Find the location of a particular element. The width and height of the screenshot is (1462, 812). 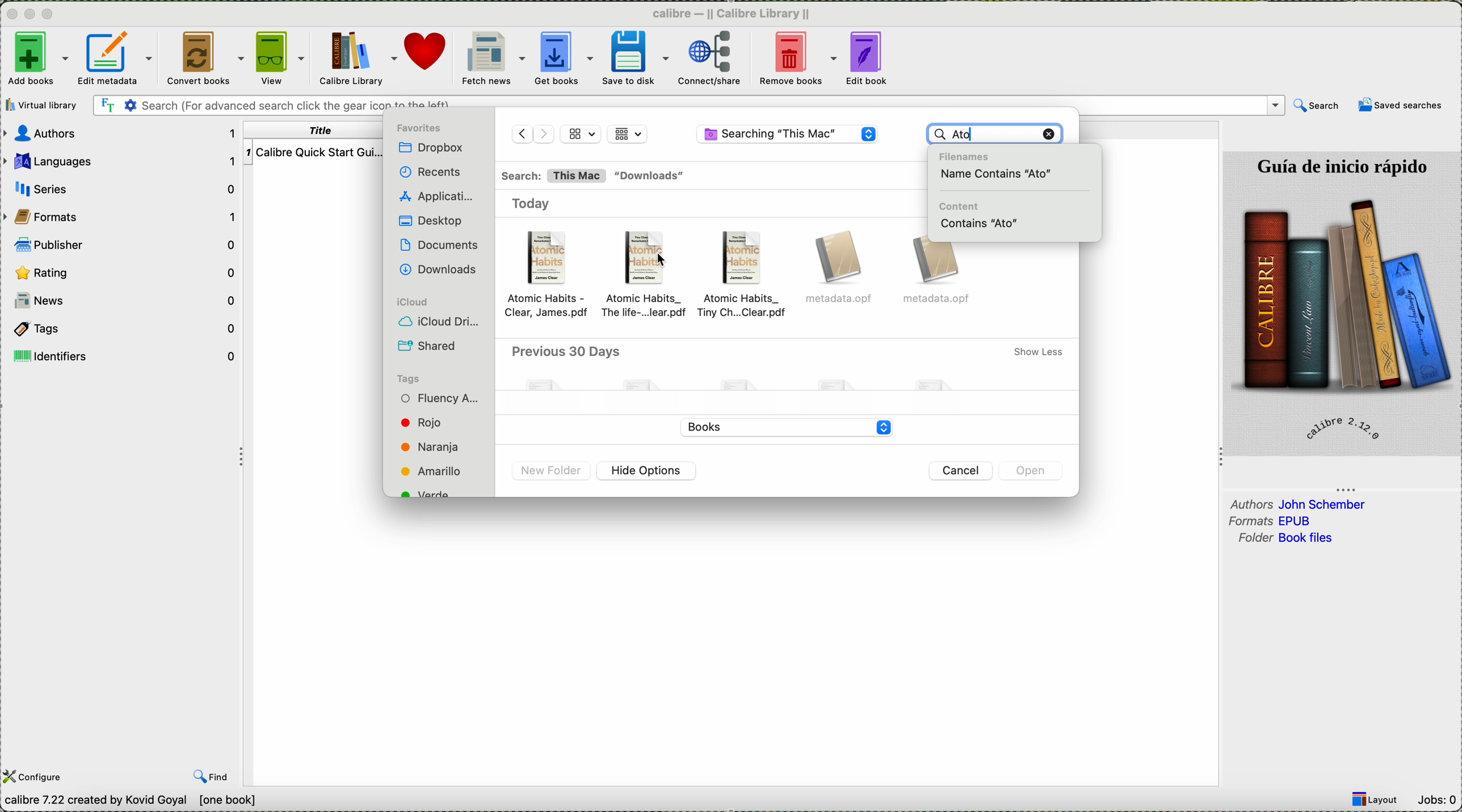

remove books is located at coordinates (797, 59).